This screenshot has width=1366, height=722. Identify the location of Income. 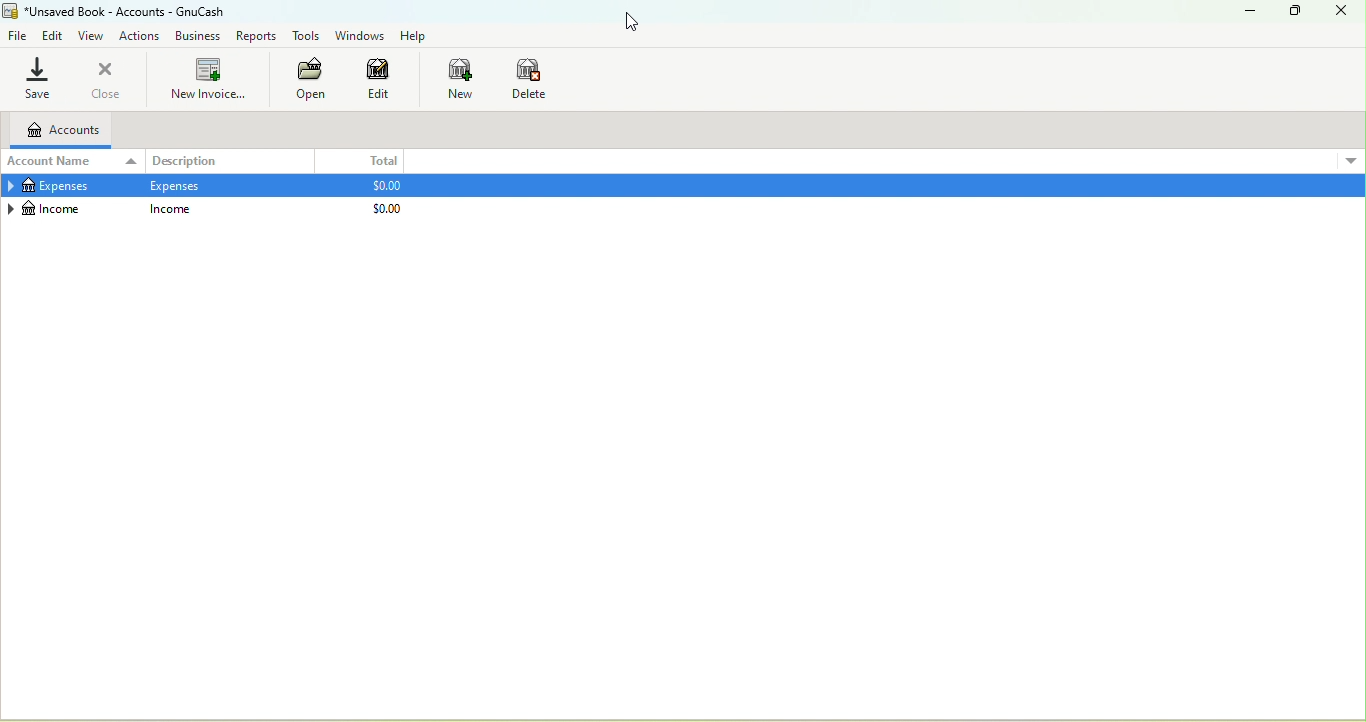
(54, 210).